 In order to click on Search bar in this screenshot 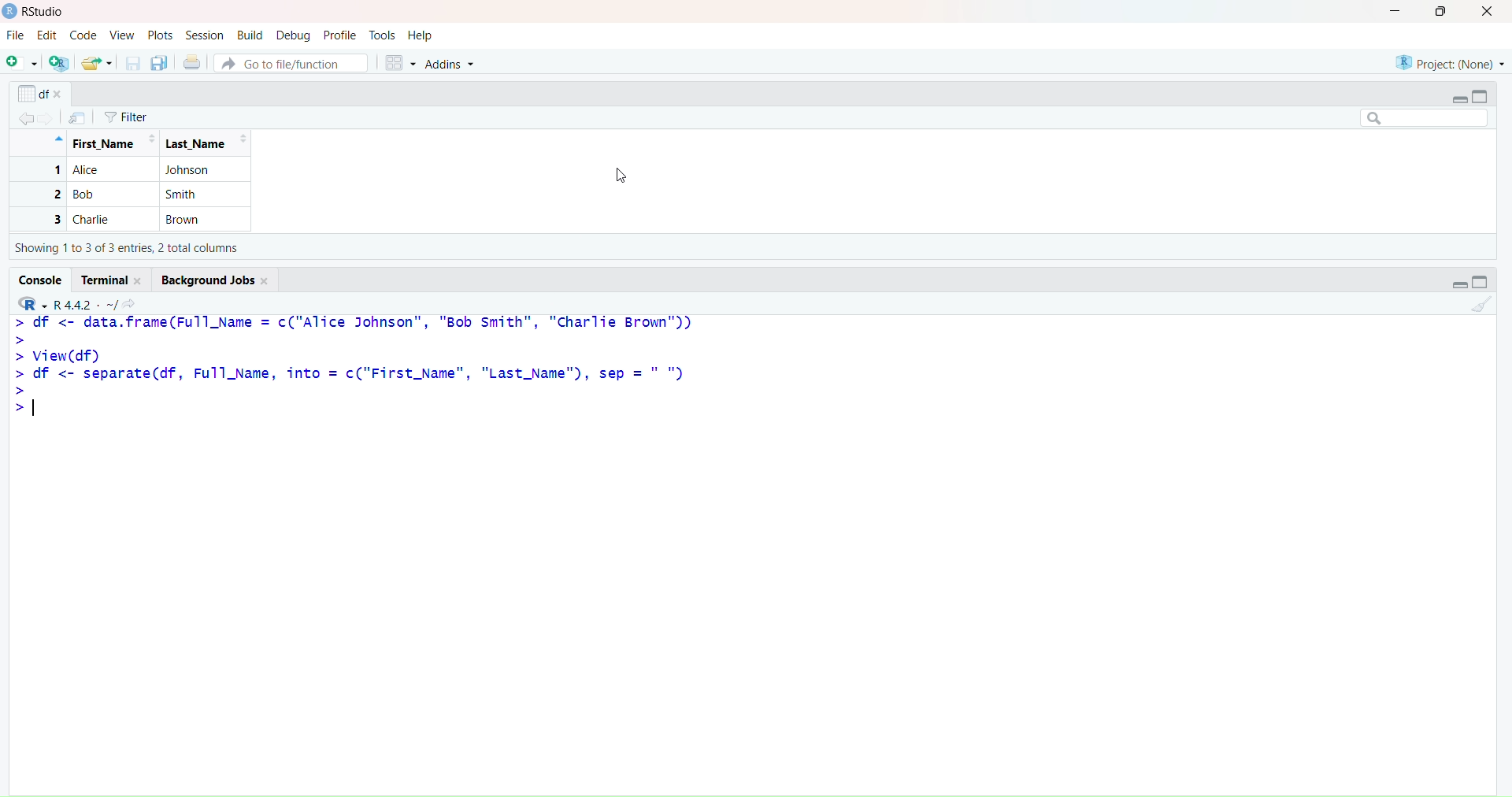, I will do `click(1422, 119)`.